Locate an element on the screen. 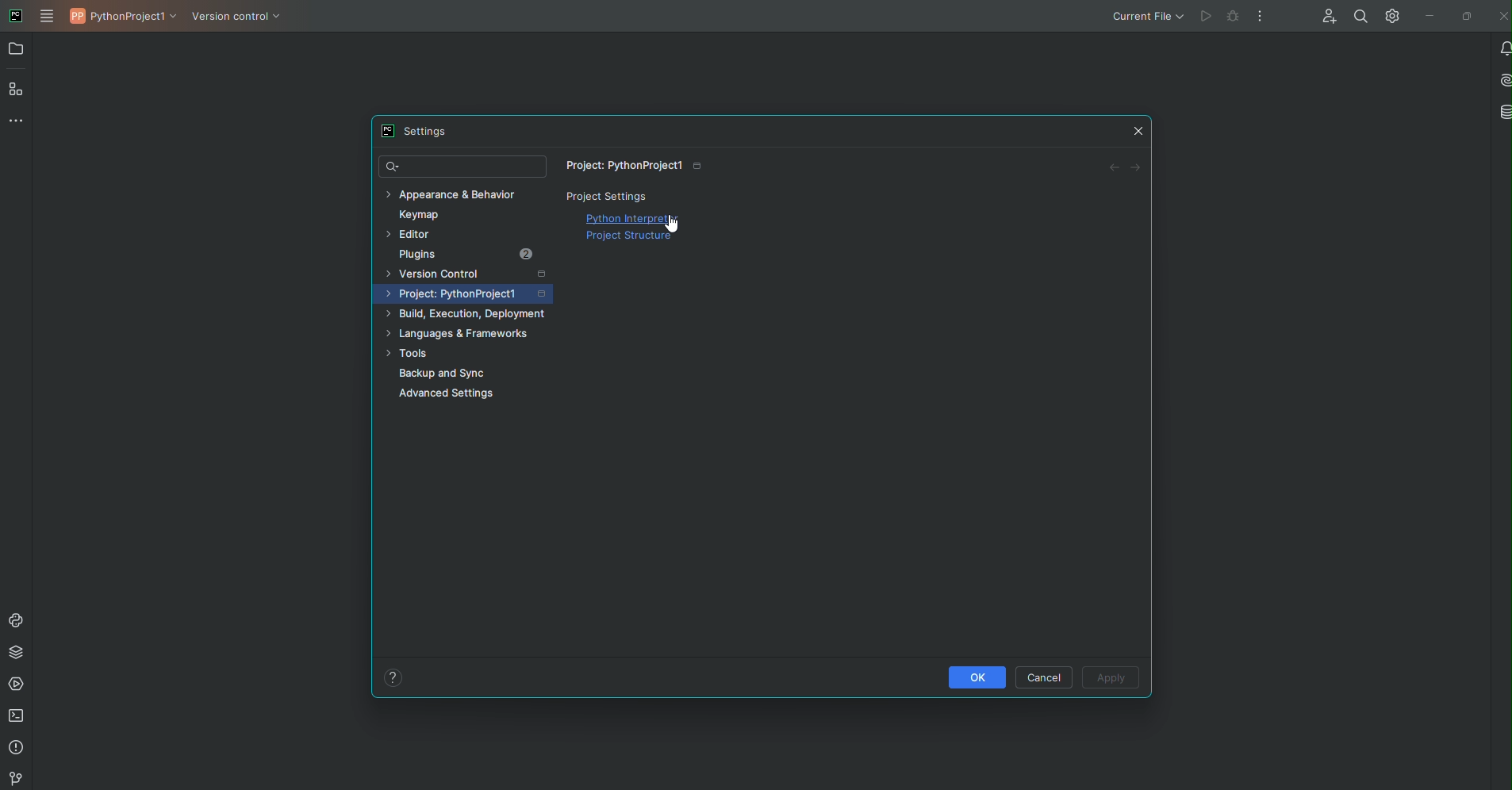 This screenshot has width=1512, height=790. Help is located at coordinates (392, 677).